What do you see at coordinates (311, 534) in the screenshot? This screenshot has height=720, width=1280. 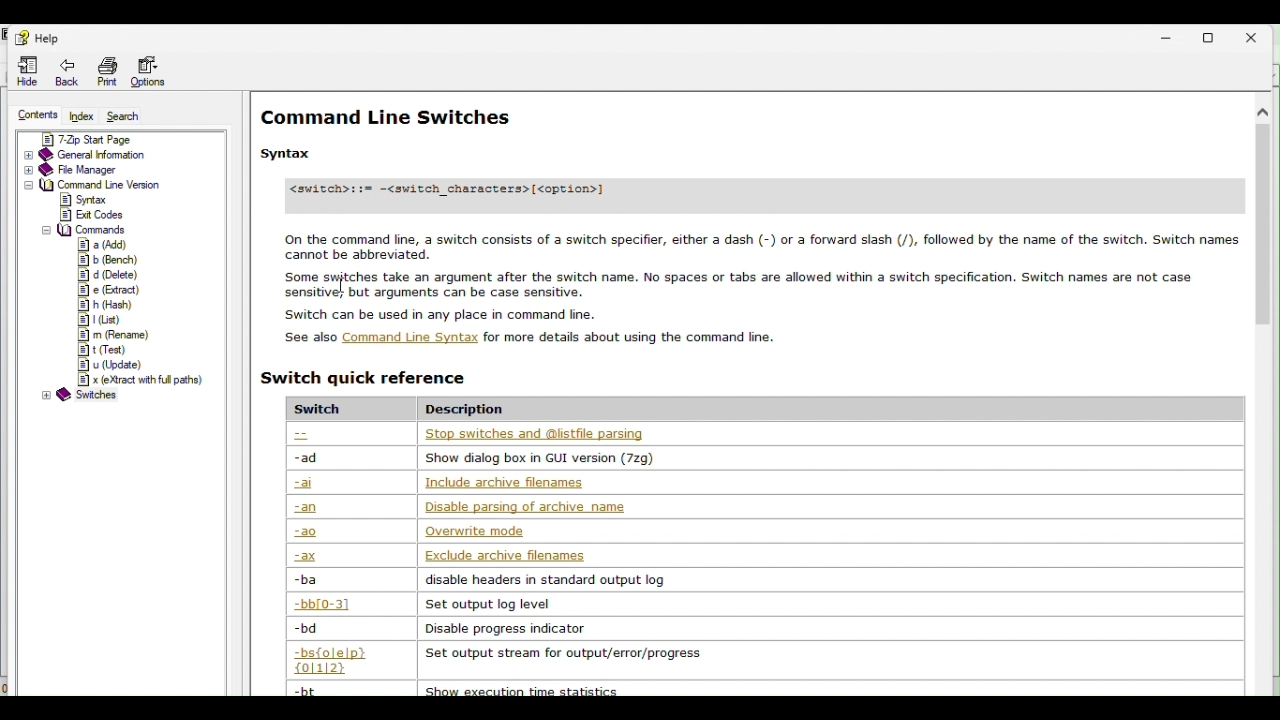 I see `-ao` at bounding box center [311, 534].